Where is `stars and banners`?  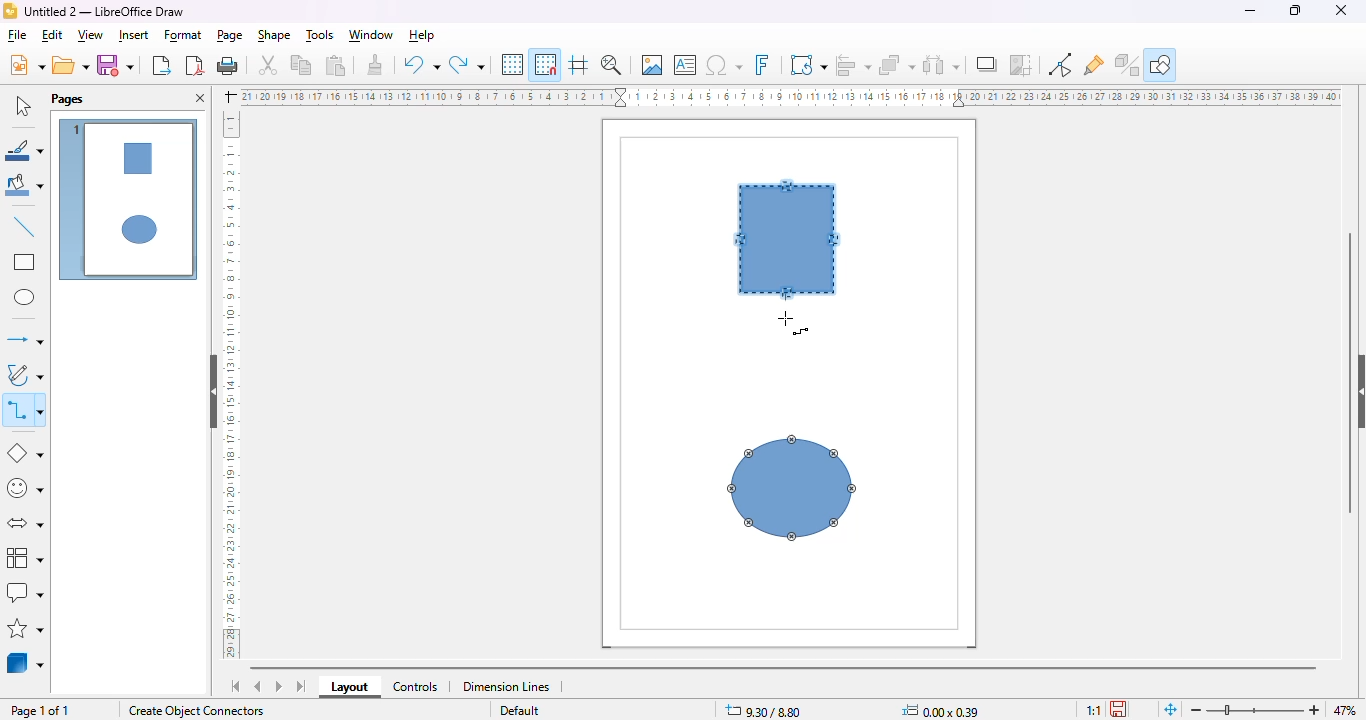 stars and banners is located at coordinates (27, 628).